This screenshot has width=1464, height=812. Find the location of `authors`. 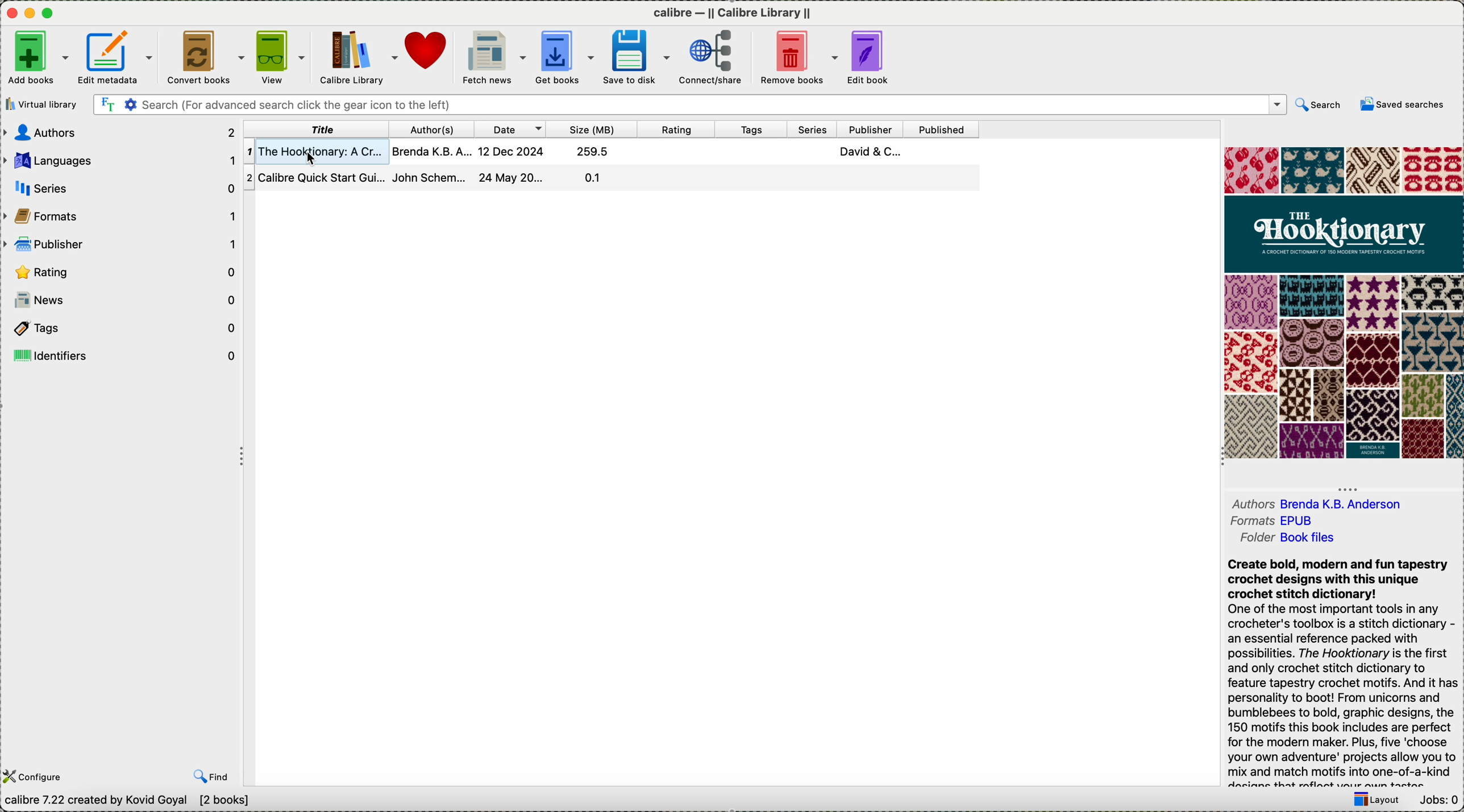

authors is located at coordinates (1317, 499).